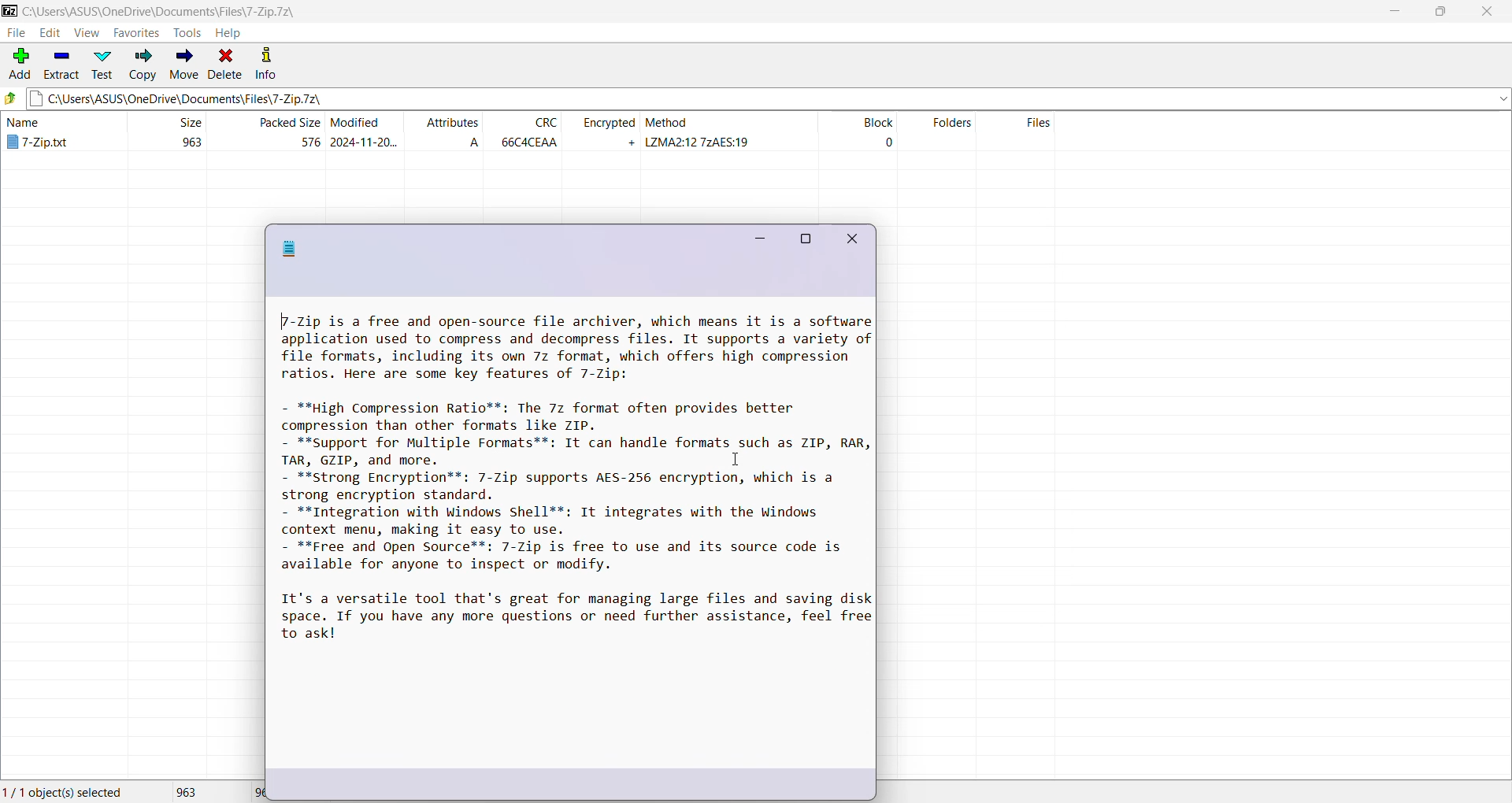 The image size is (1512, 803). Describe the element at coordinates (450, 132) in the screenshot. I see `Attributes` at that location.